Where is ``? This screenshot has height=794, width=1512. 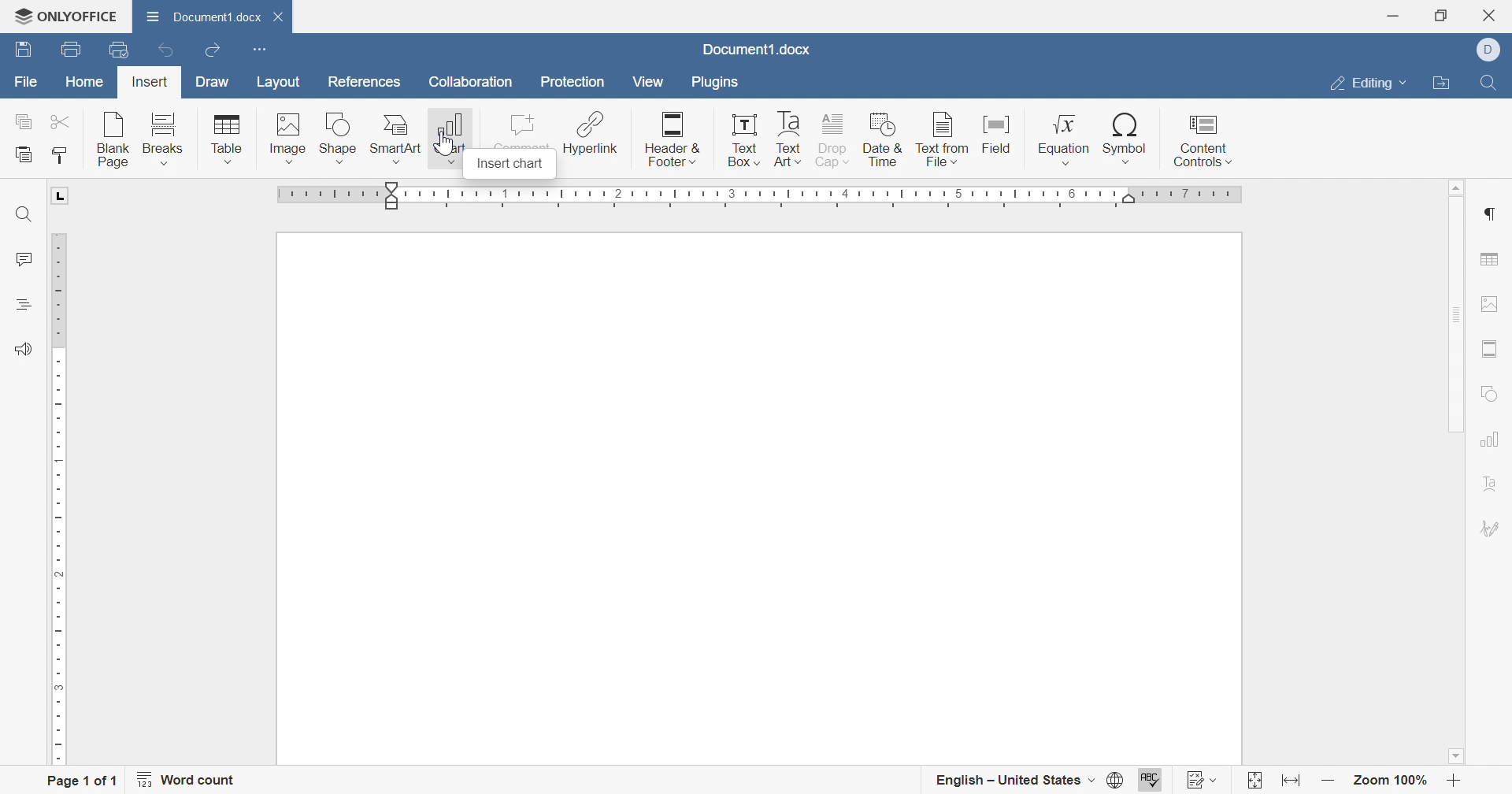  is located at coordinates (524, 131).